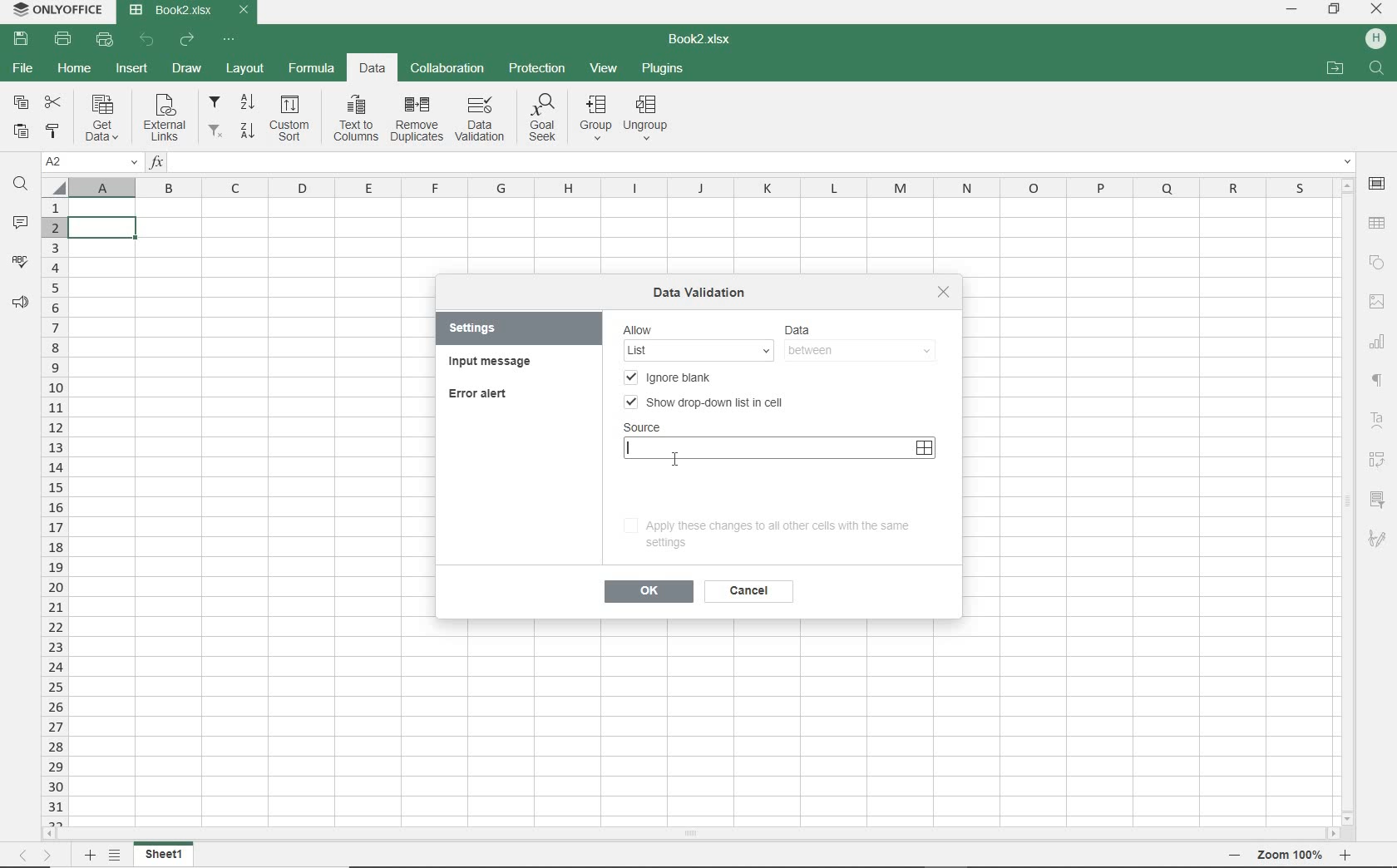 This screenshot has height=868, width=1397. What do you see at coordinates (170, 11) in the screenshot?
I see `DOCUMENT Name` at bounding box center [170, 11].